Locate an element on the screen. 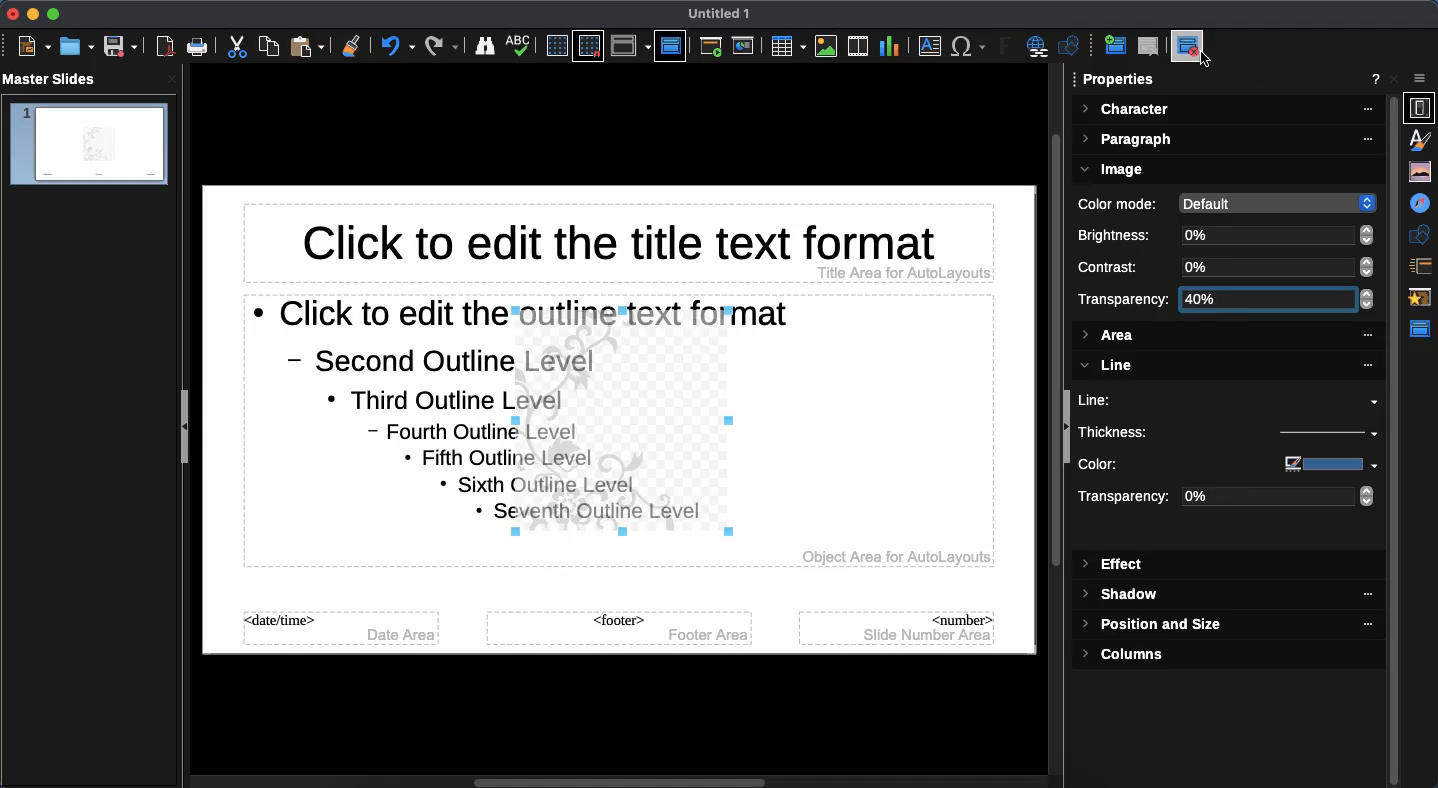 Image resolution: width=1438 pixels, height=788 pixels. Copy is located at coordinates (269, 46).